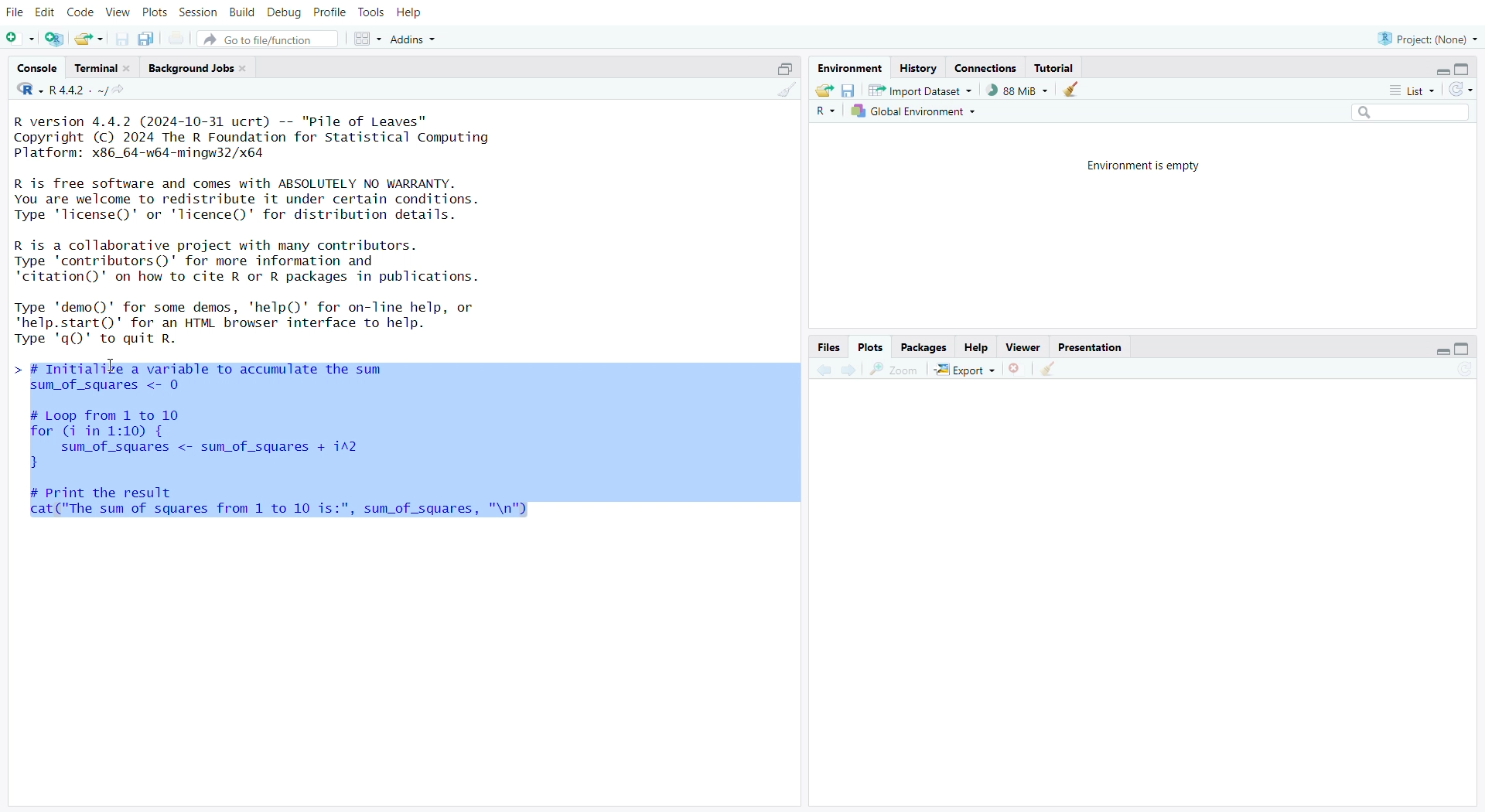  I want to click on save current document, so click(121, 40).